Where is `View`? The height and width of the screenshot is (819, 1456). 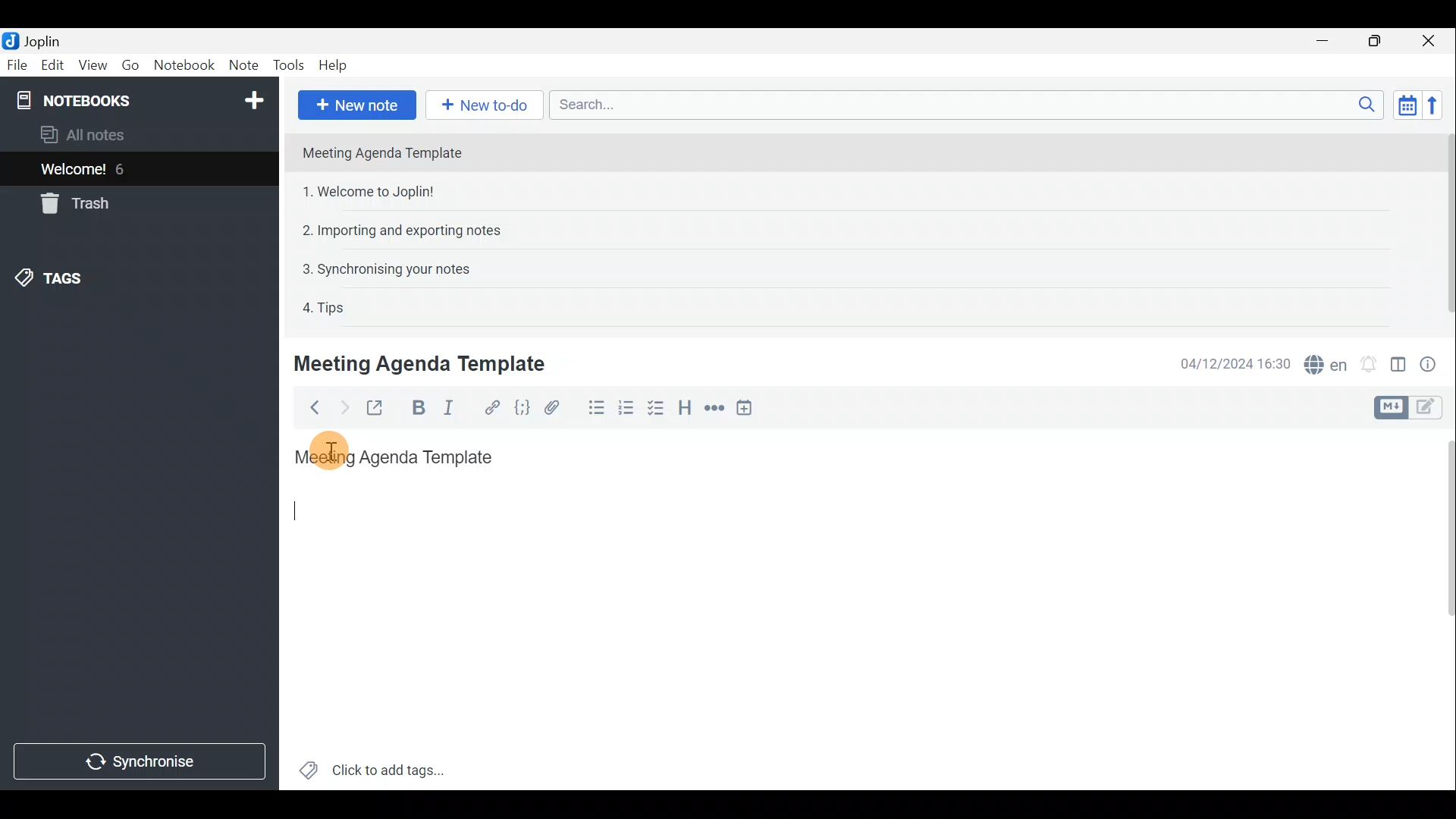
View is located at coordinates (89, 66).